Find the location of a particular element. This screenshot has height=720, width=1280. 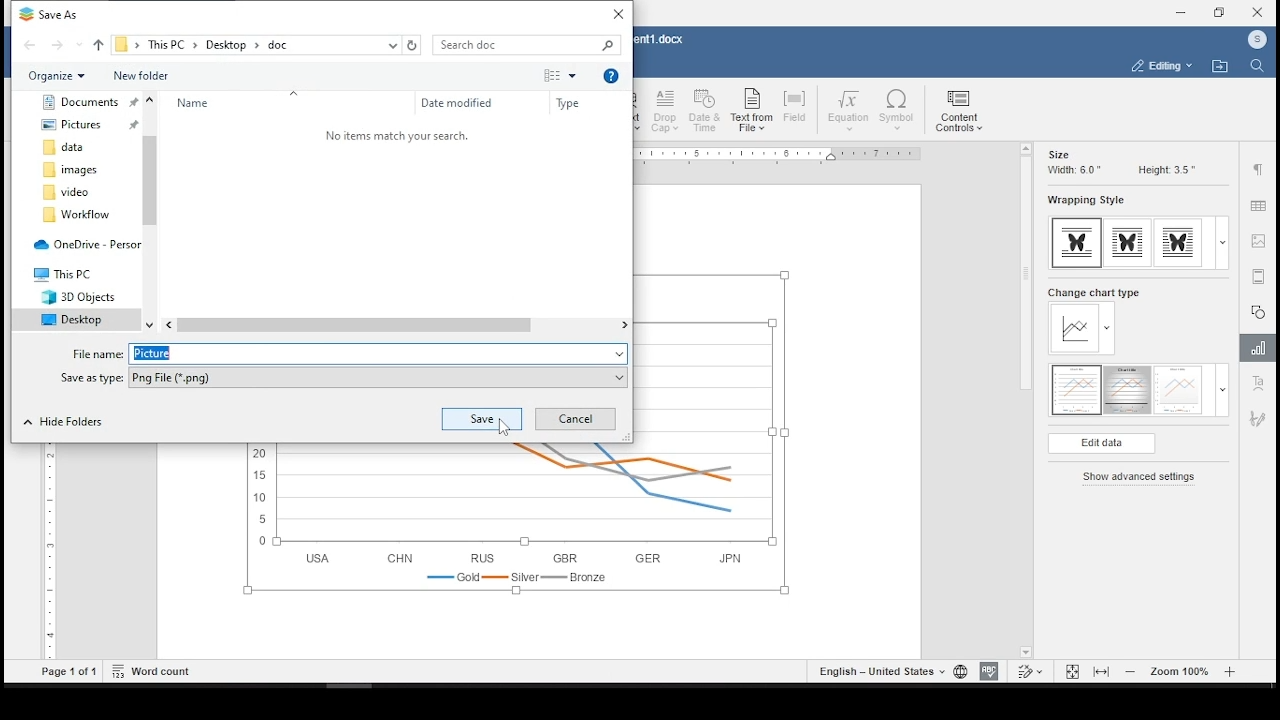

word count is located at coordinates (155, 670).